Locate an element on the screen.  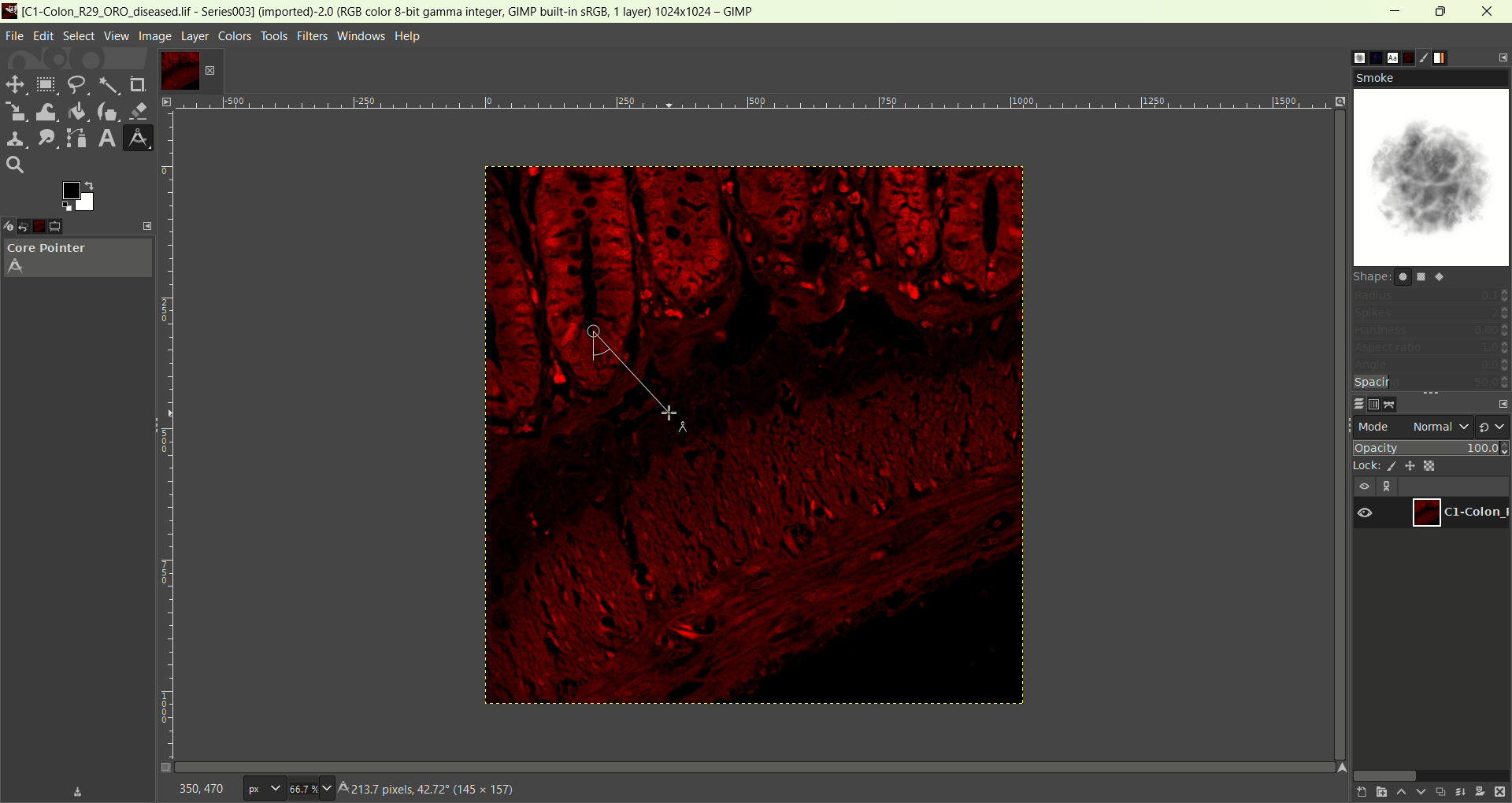
text tool is located at coordinates (106, 139).